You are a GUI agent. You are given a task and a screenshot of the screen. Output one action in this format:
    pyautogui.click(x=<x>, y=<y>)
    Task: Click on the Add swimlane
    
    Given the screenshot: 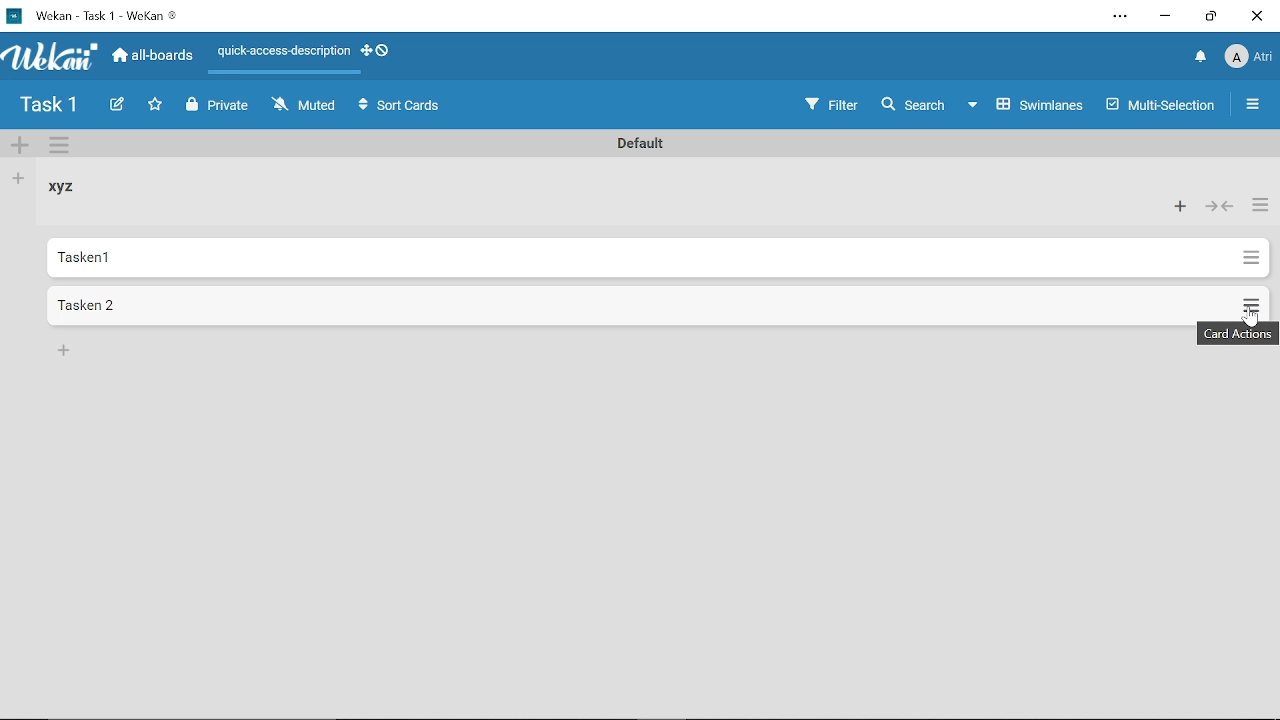 What is the action you would take?
    pyautogui.click(x=20, y=147)
    